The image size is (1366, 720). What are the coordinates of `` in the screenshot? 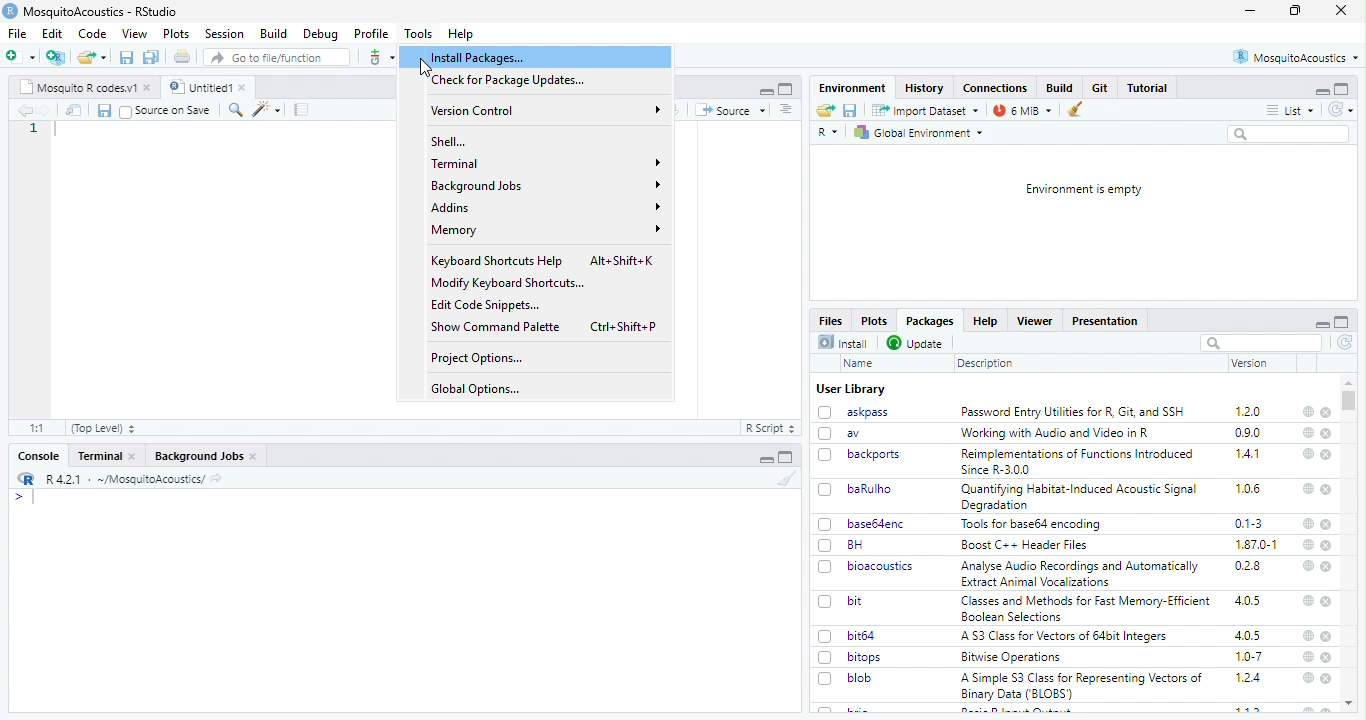 It's located at (1062, 87).